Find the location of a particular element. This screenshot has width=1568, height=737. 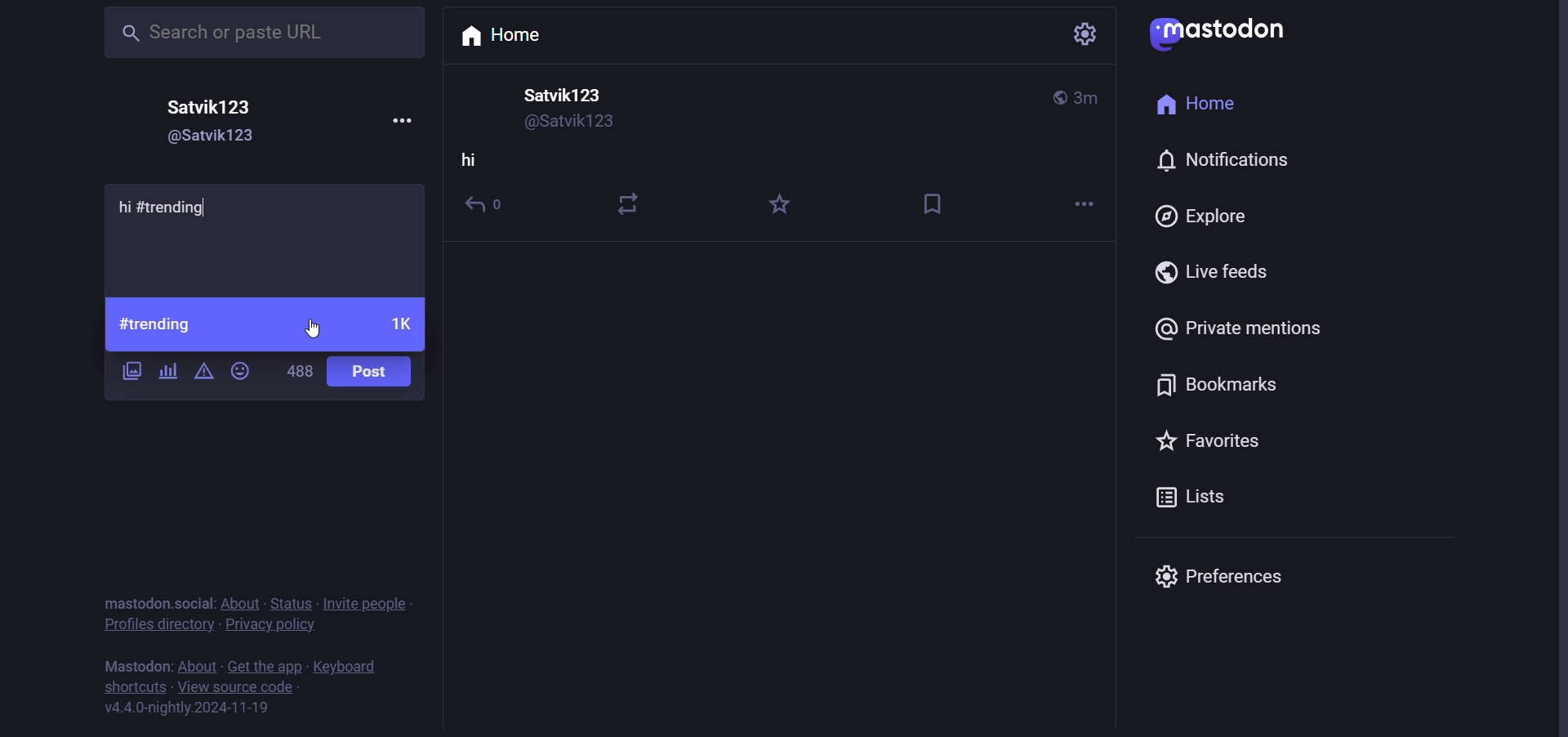

hi #trending is located at coordinates (176, 207).